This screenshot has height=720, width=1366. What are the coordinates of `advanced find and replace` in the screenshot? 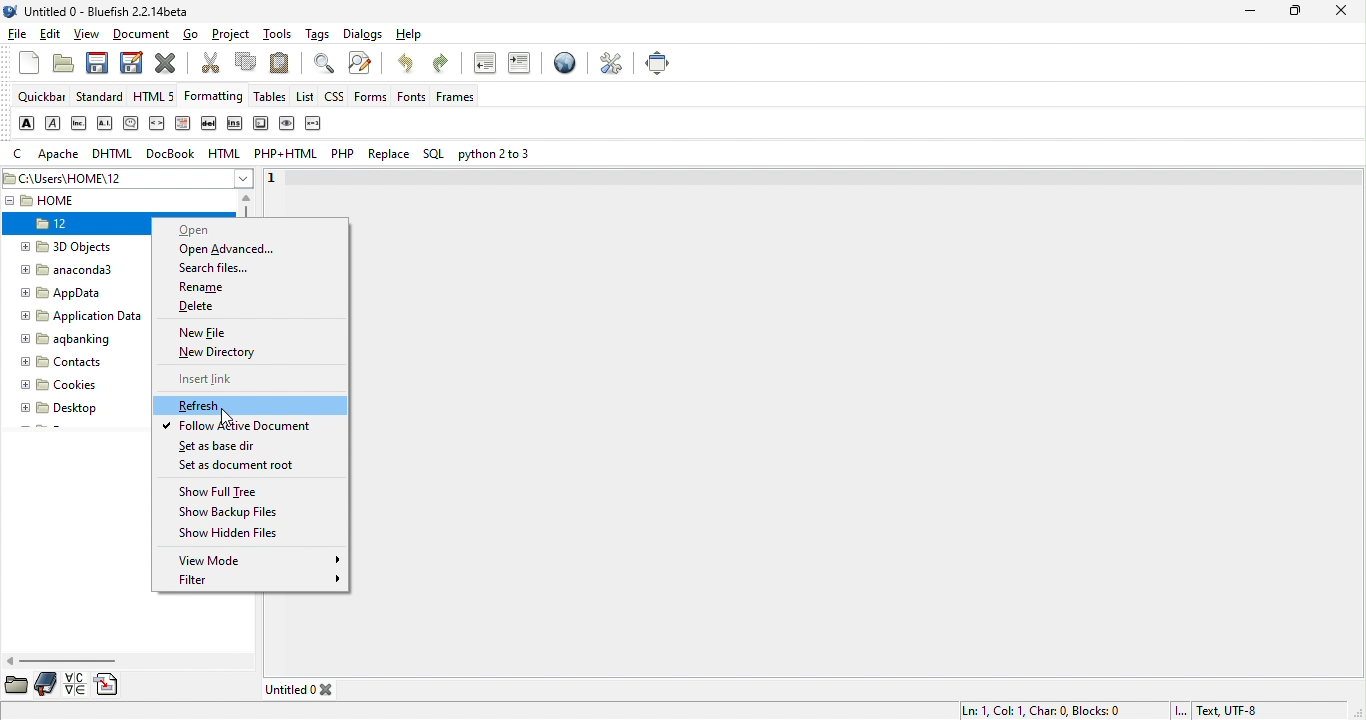 It's located at (363, 64).